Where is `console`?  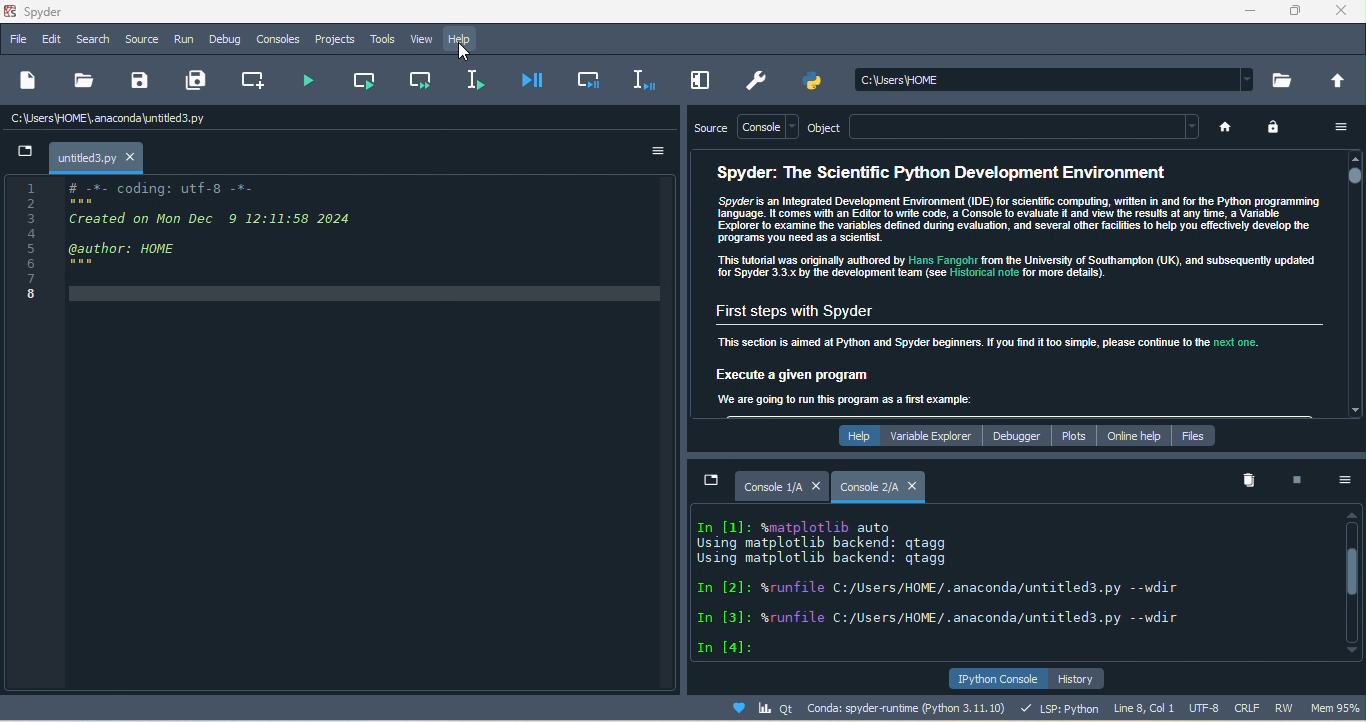 console is located at coordinates (768, 126).